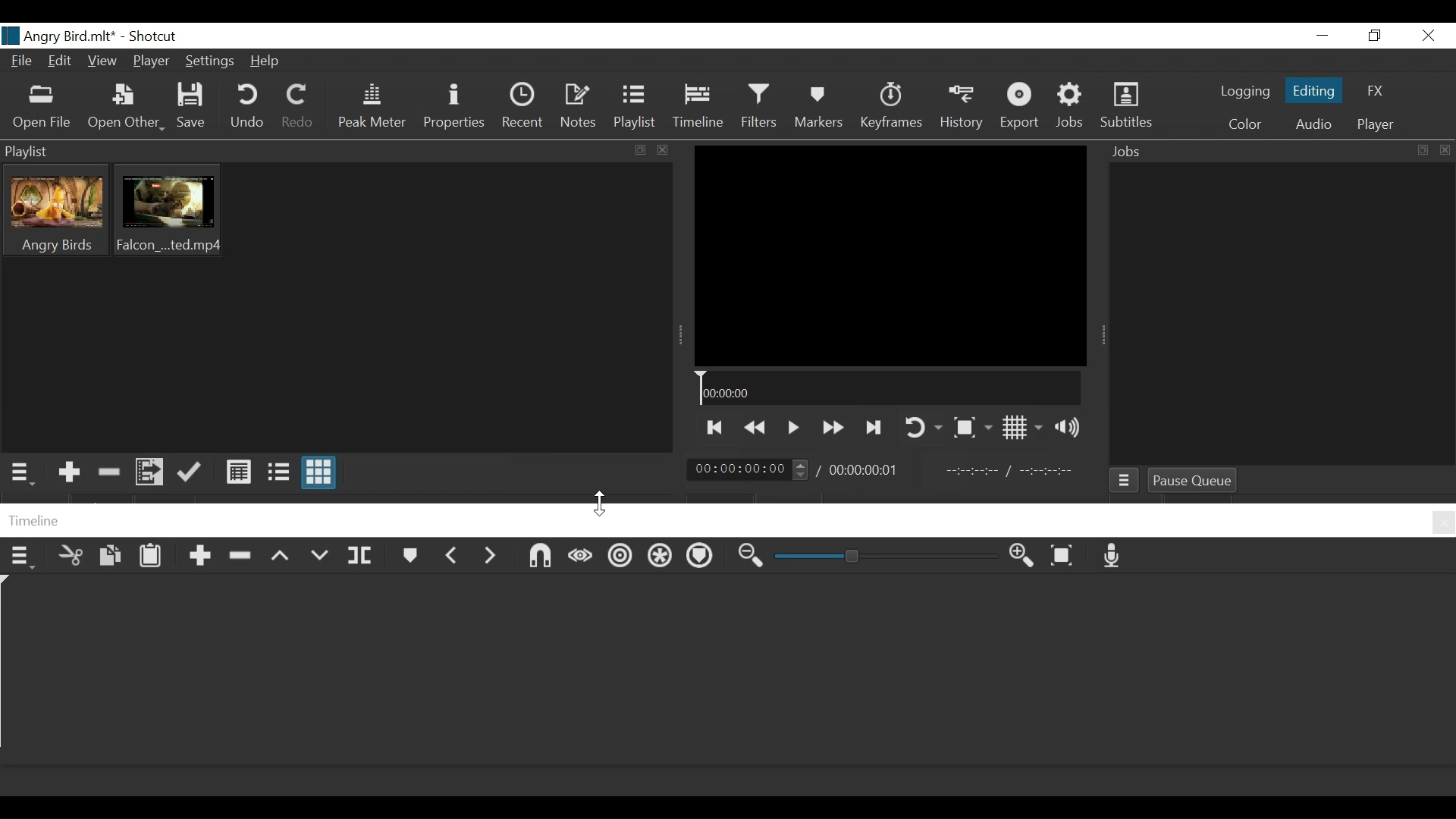 Image resolution: width=1456 pixels, height=819 pixels. Describe the element at coordinates (923, 427) in the screenshot. I see `Toggle player on looping` at that location.